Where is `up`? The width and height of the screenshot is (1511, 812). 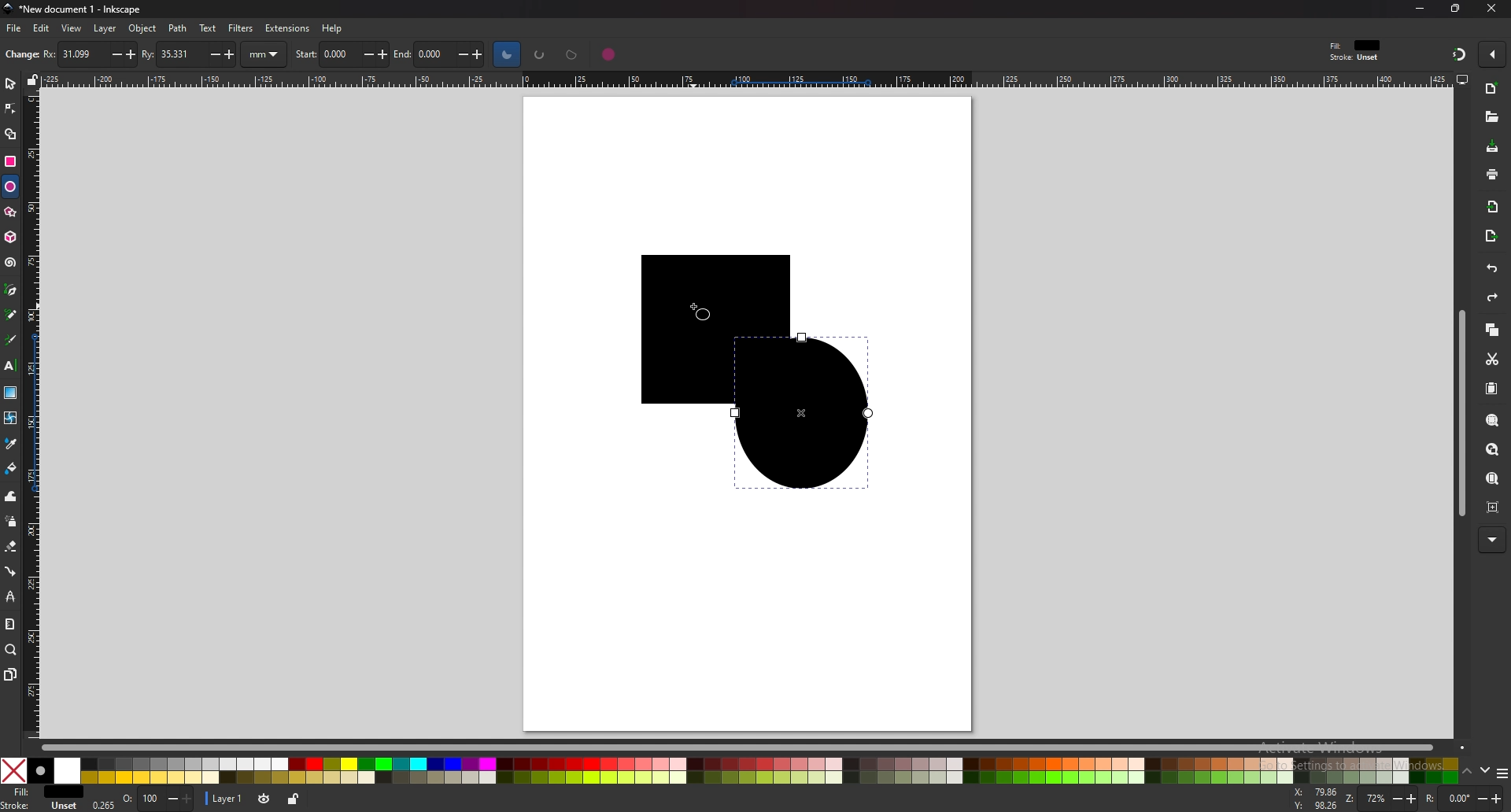 up is located at coordinates (1469, 772).